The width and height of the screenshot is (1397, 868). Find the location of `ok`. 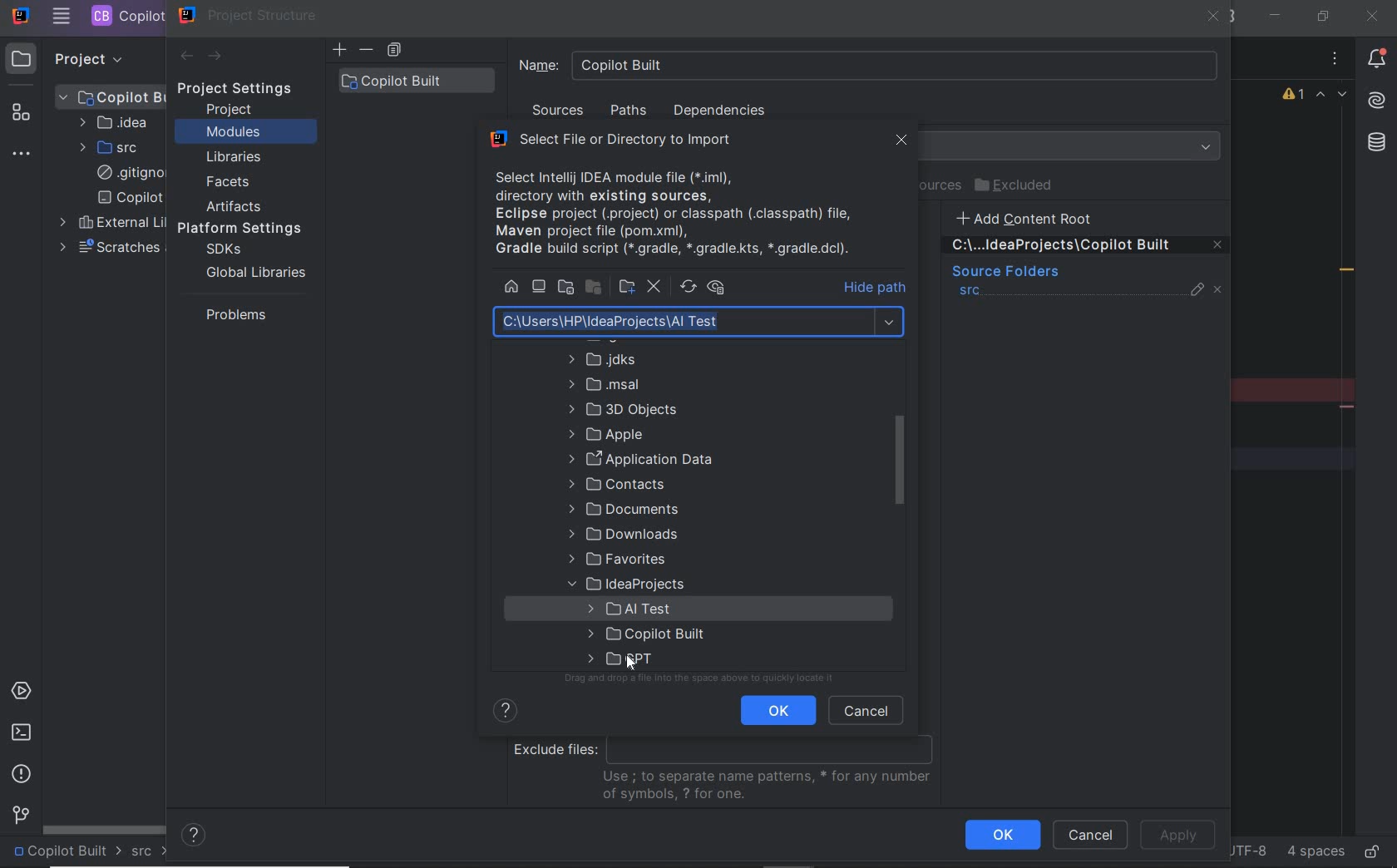

ok is located at coordinates (778, 710).